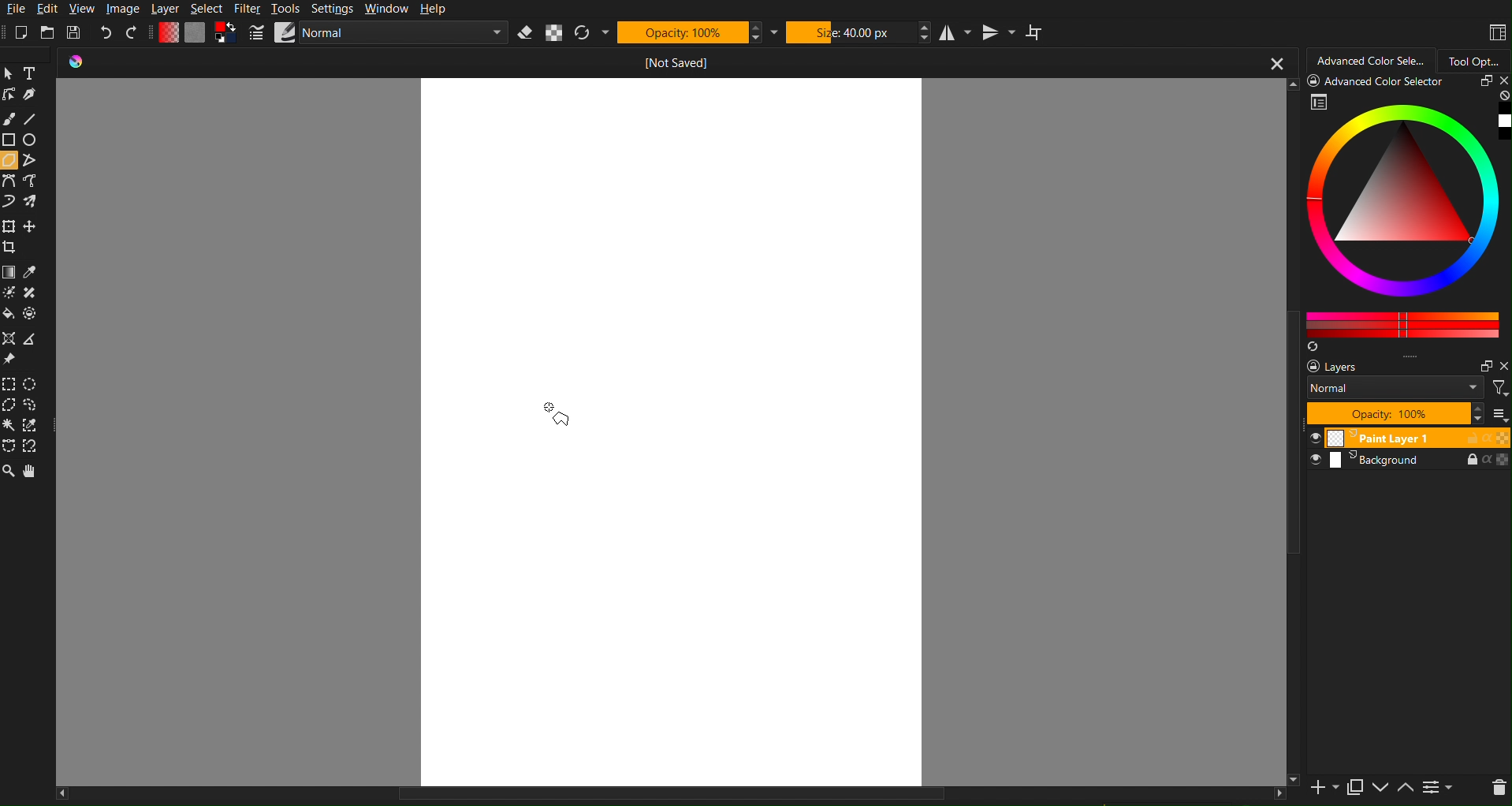 Image resolution: width=1512 pixels, height=806 pixels. I want to click on crop the image to an area, so click(13, 247).